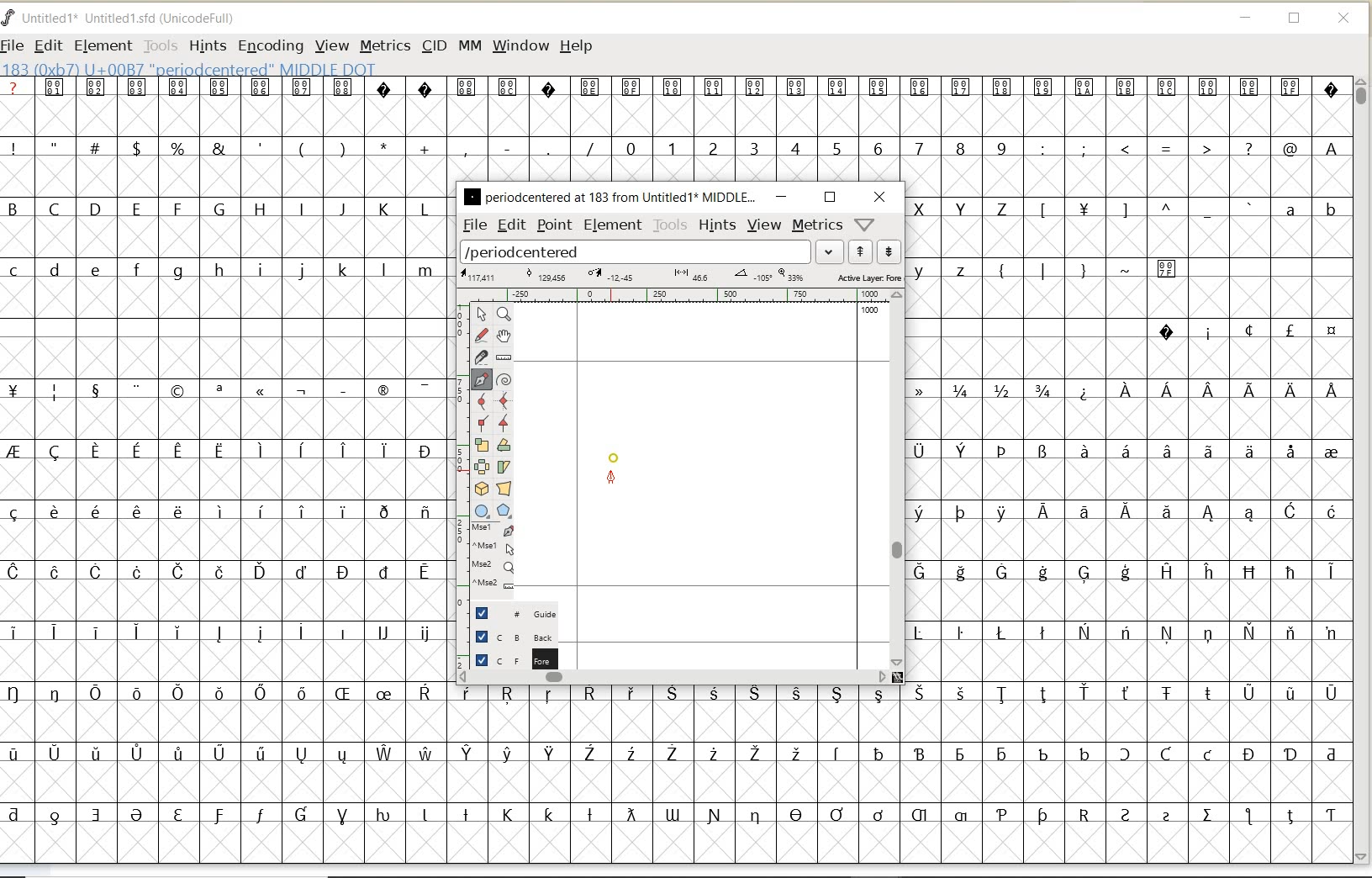 This screenshot has height=878, width=1372. I want to click on rotate the selection in 3D and project back to plane, so click(481, 488).